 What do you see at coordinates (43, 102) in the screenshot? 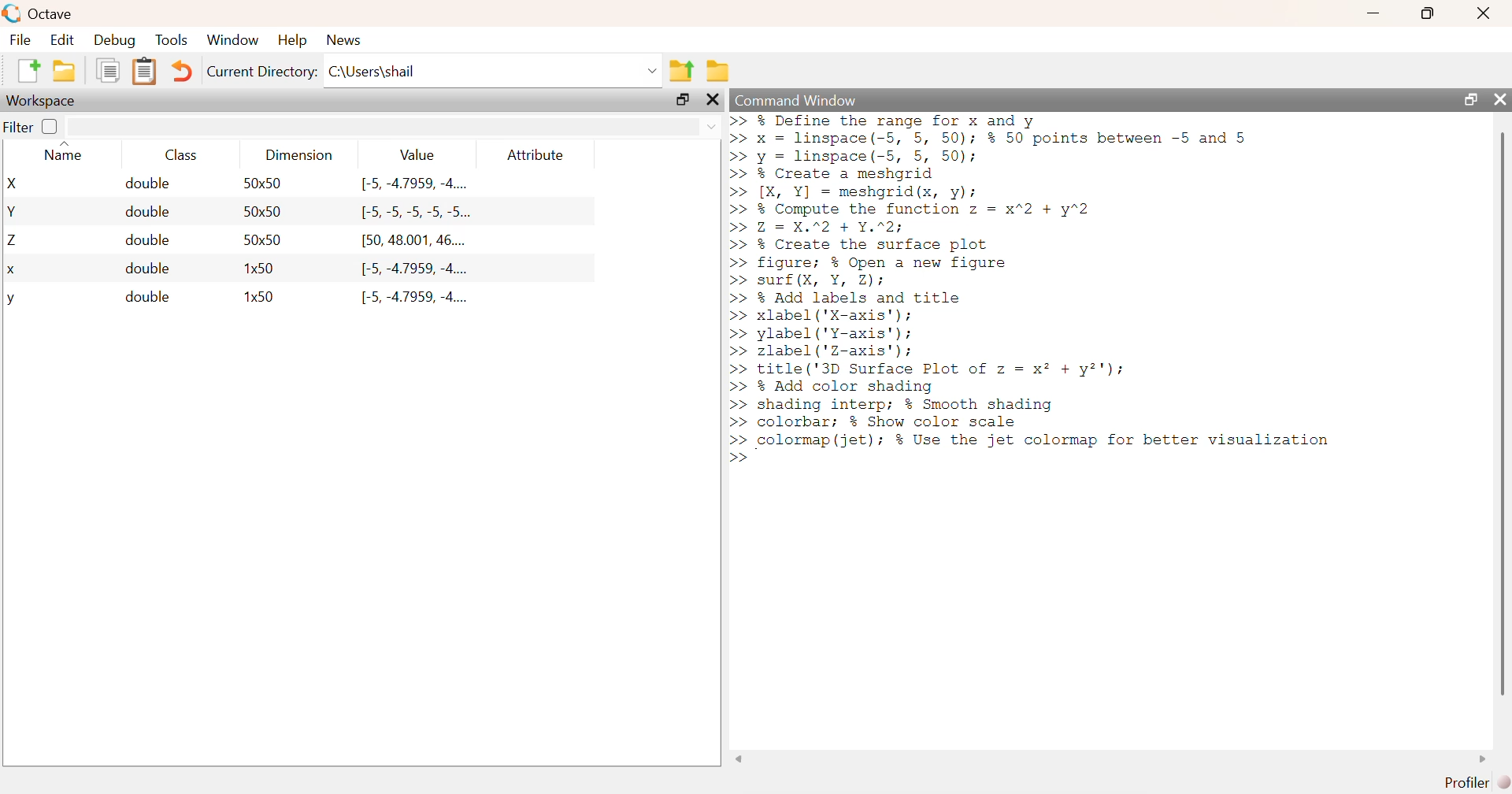
I see `Workspace` at bounding box center [43, 102].